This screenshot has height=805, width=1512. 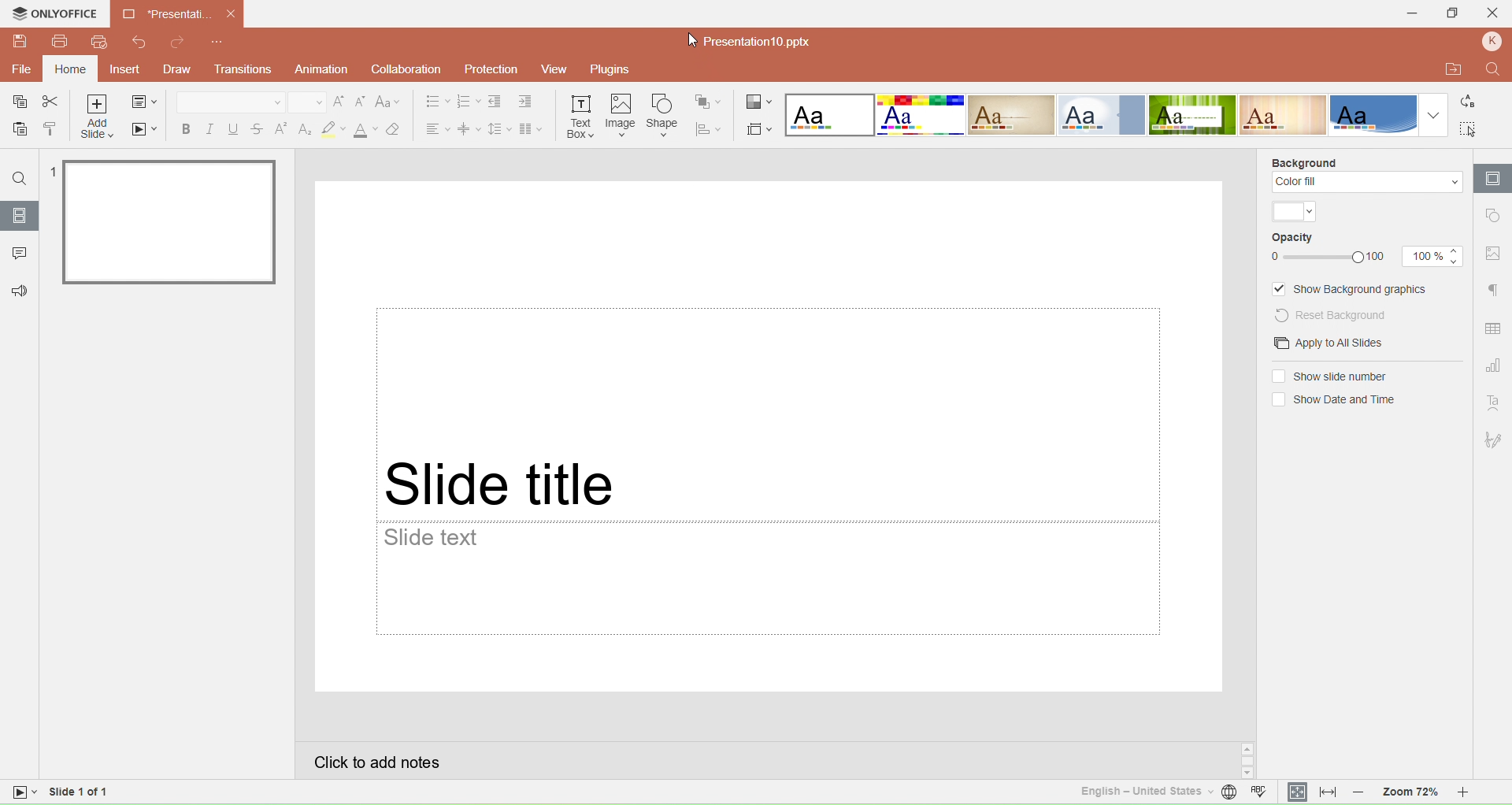 I want to click on Line spacing, so click(x=498, y=128).